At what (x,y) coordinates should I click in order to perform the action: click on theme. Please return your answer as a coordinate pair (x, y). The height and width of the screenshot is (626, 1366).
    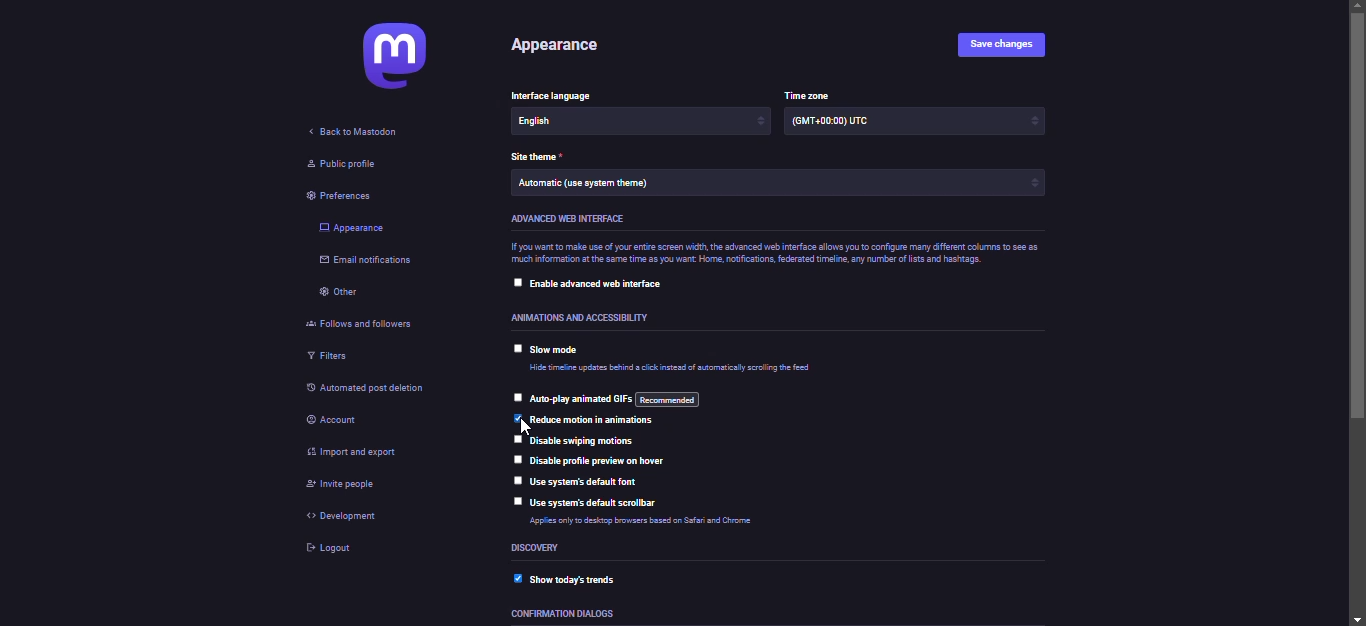
    Looking at the image, I should click on (588, 186).